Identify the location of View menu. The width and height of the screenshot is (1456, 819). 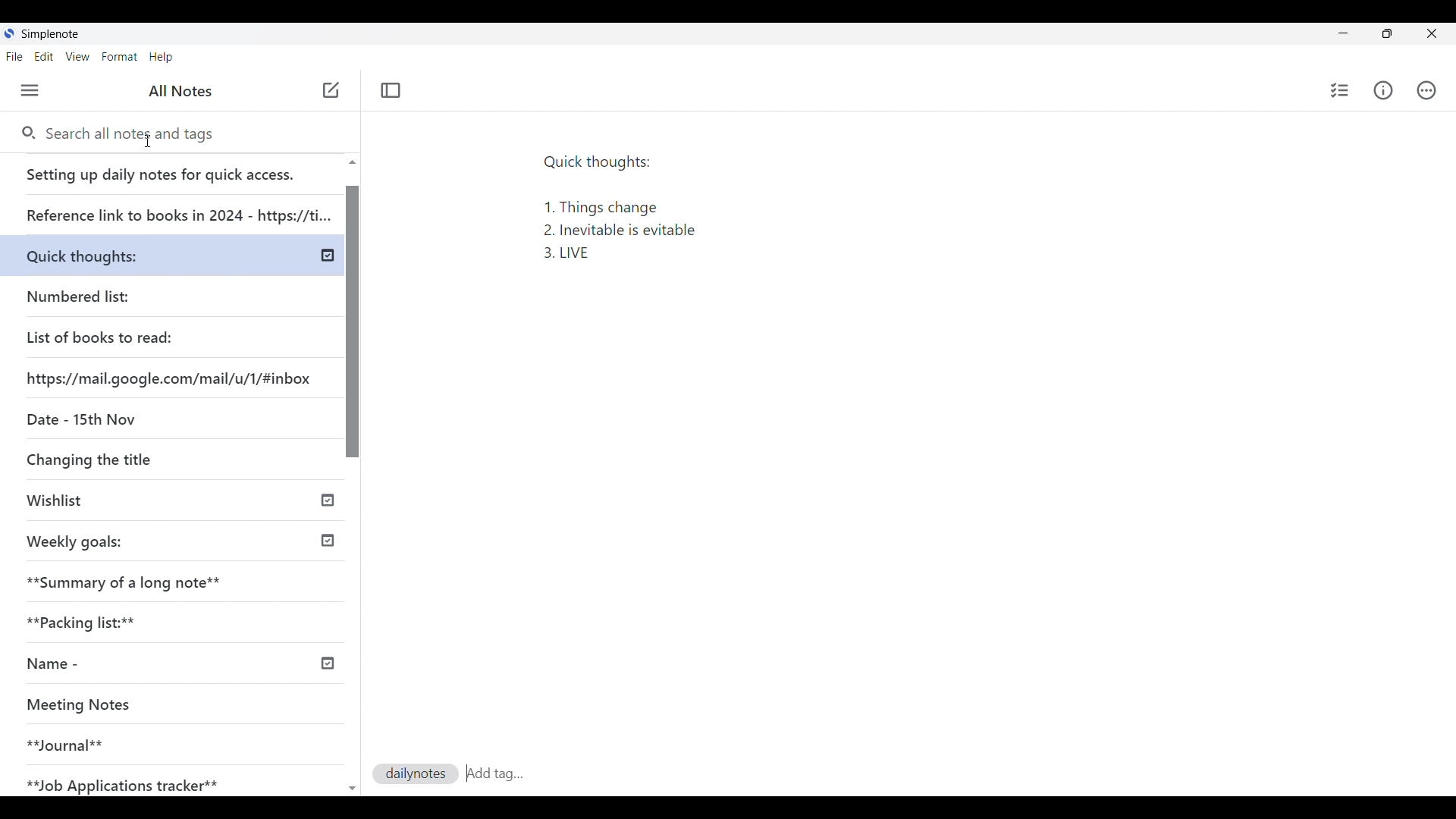
(77, 57).